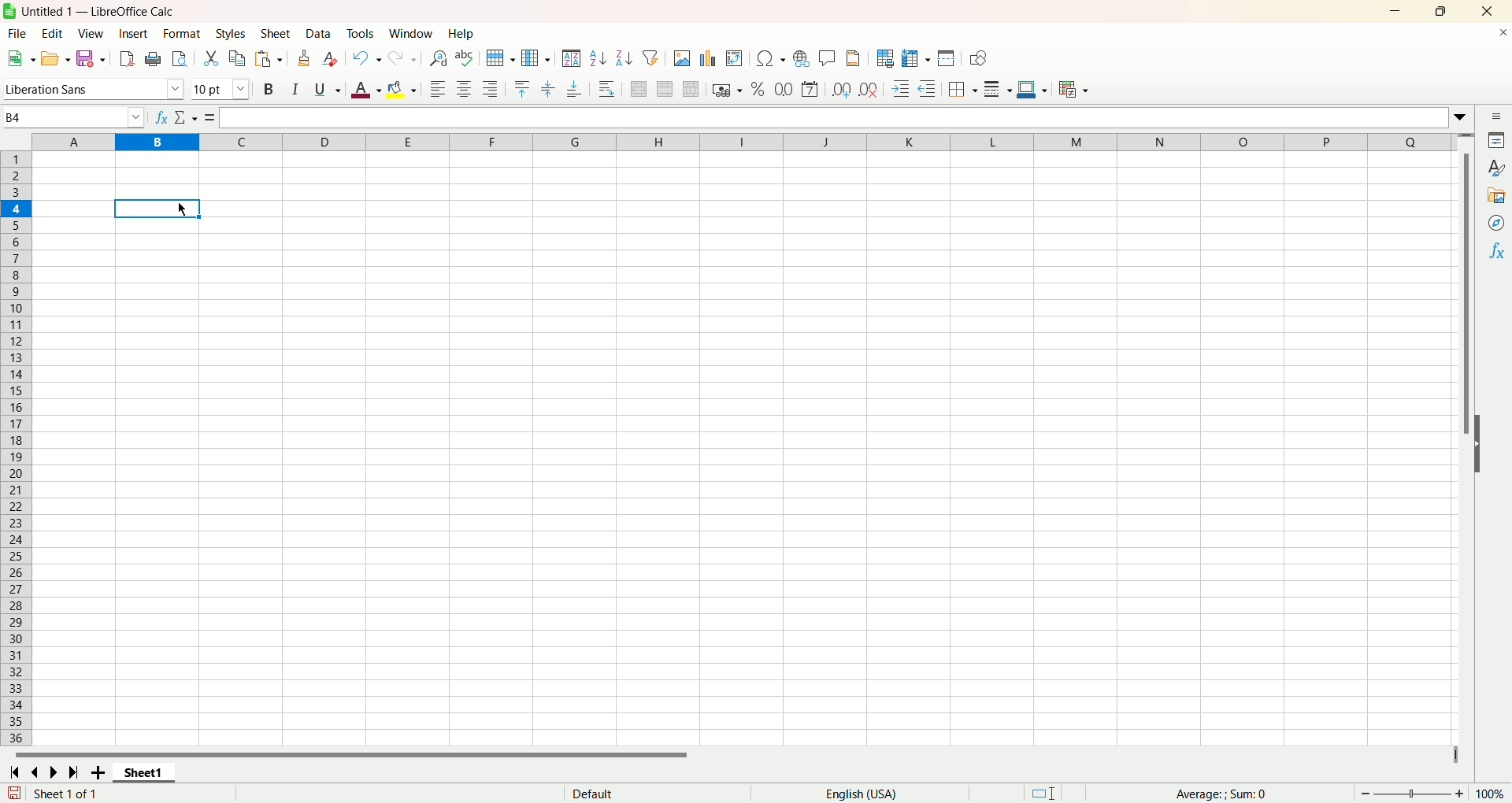 This screenshot has height=803, width=1512. I want to click on merge cells, so click(667, 89).